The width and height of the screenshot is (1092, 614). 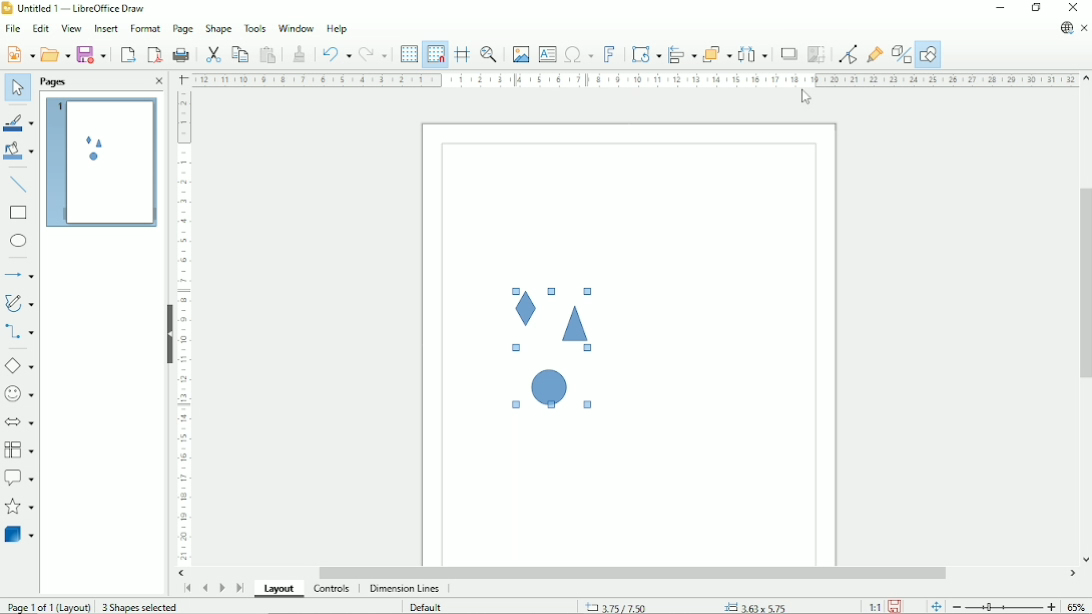 What do you see at coordinates (1003, 607) in the screenshot?
I see `Zoom out/in` at bounding box center [1003, 607].